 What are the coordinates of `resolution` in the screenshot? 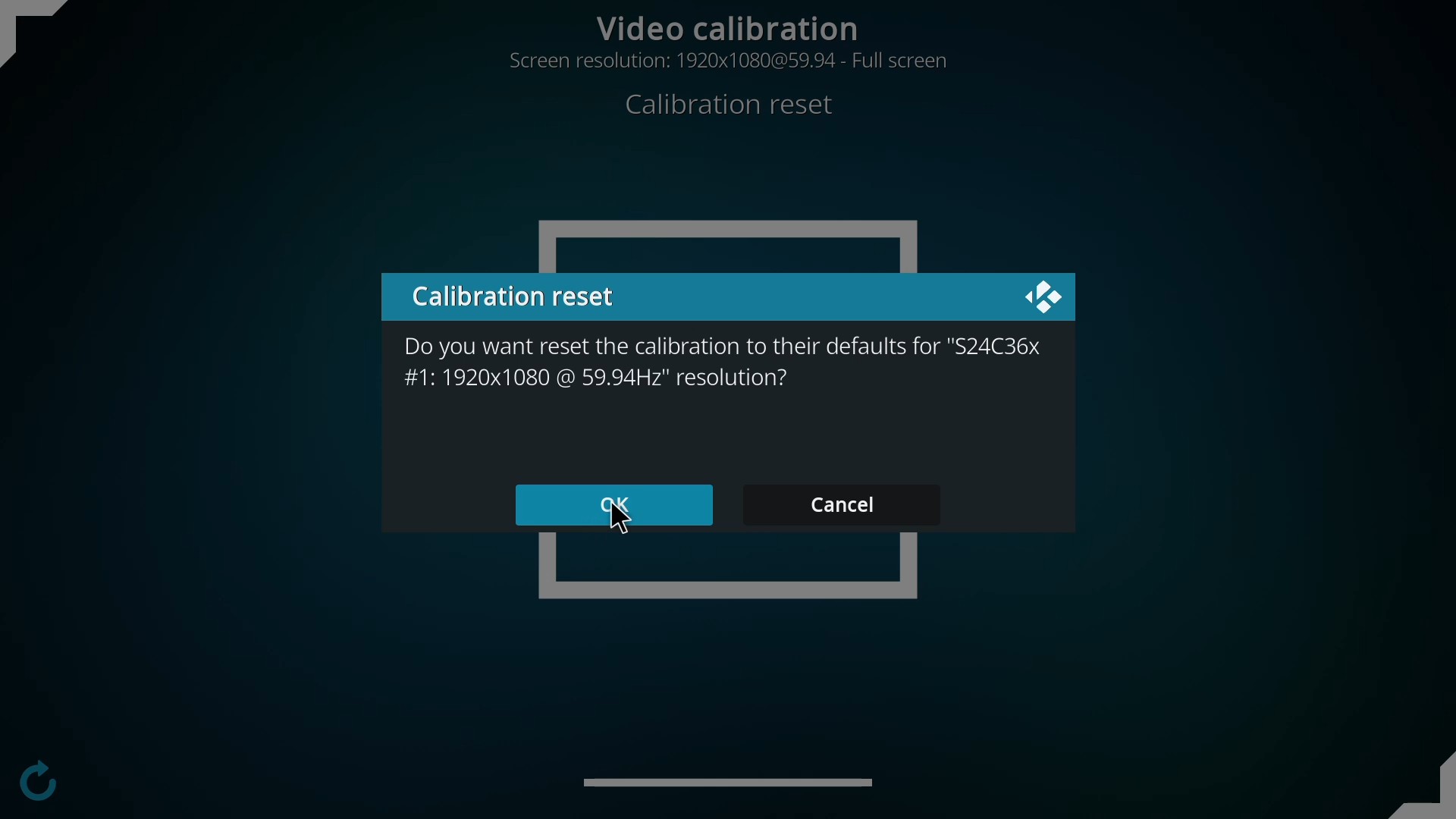 It's located at (733, 60).